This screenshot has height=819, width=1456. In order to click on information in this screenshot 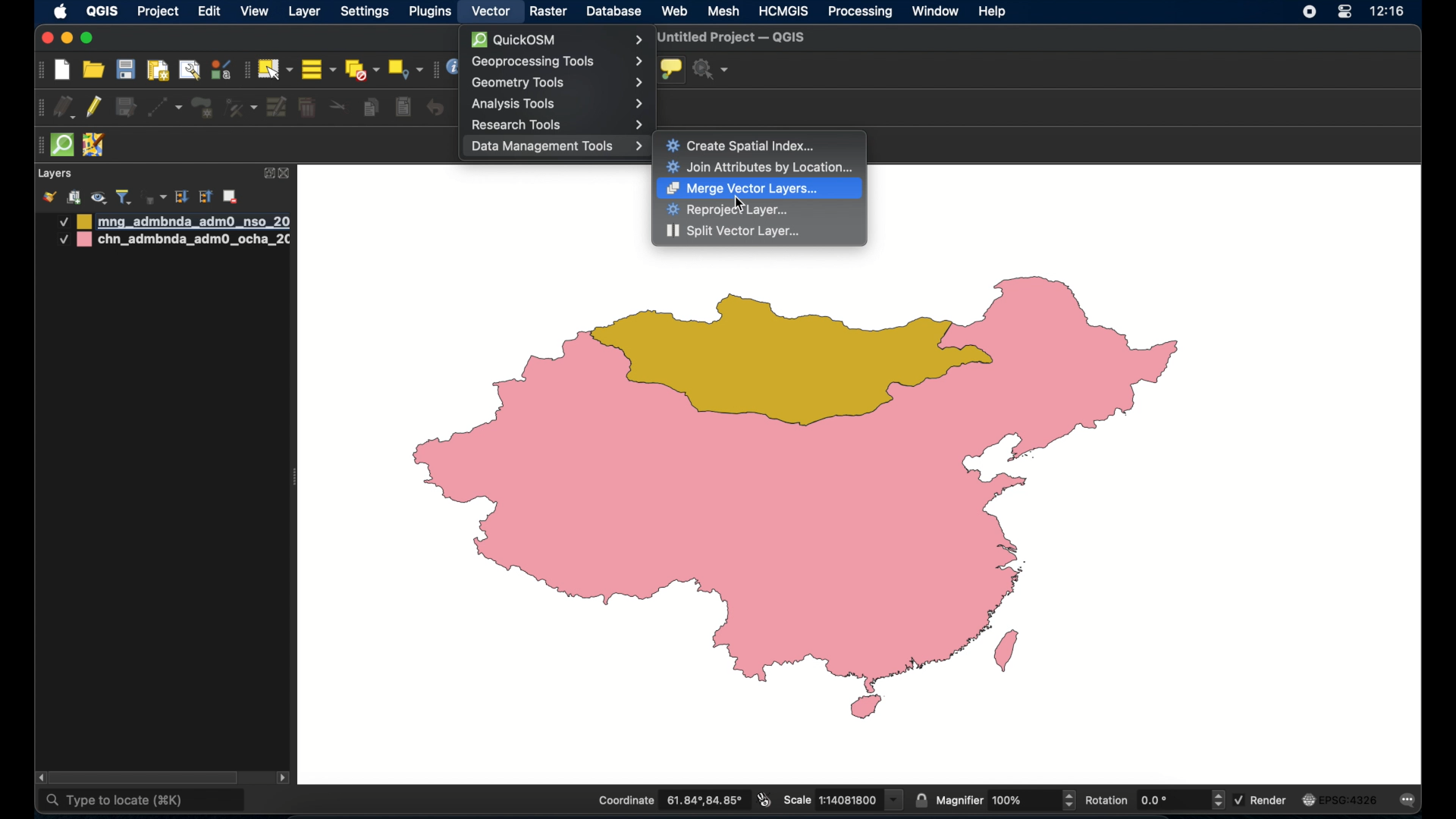, I will do `click(453, 68)`.